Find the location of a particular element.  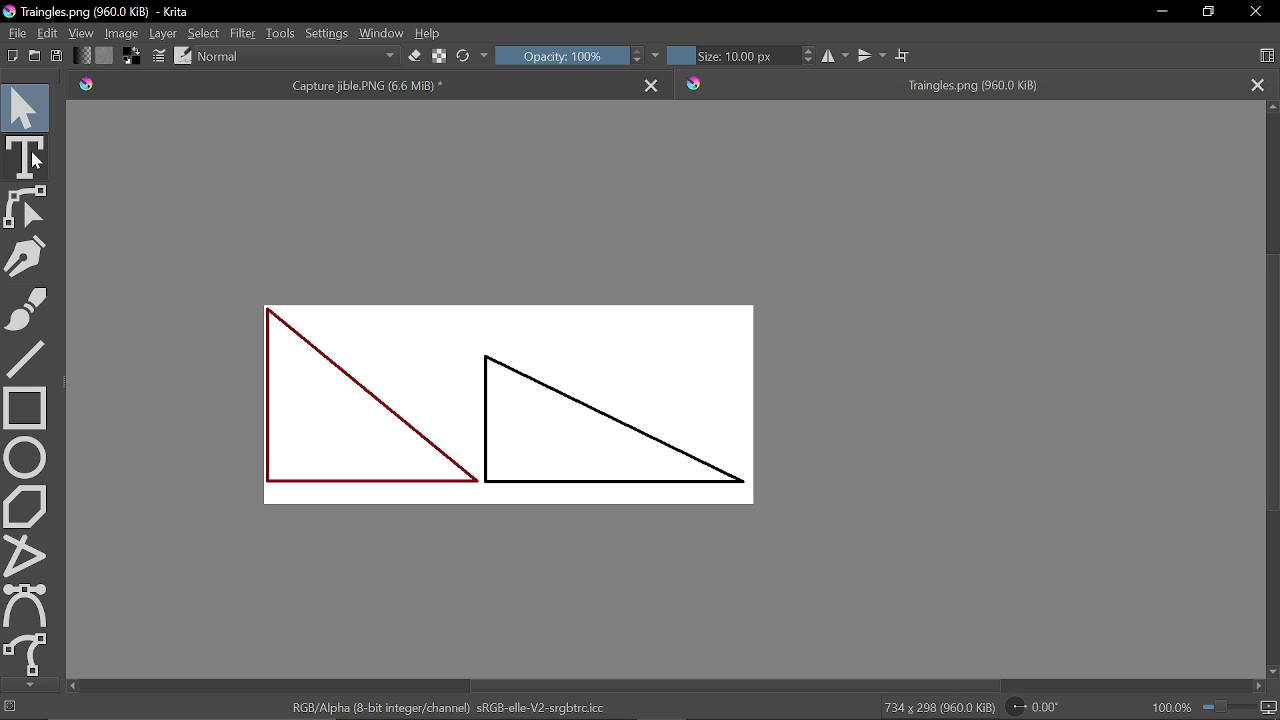

Close other tab is located at coordinates (1257, 84).